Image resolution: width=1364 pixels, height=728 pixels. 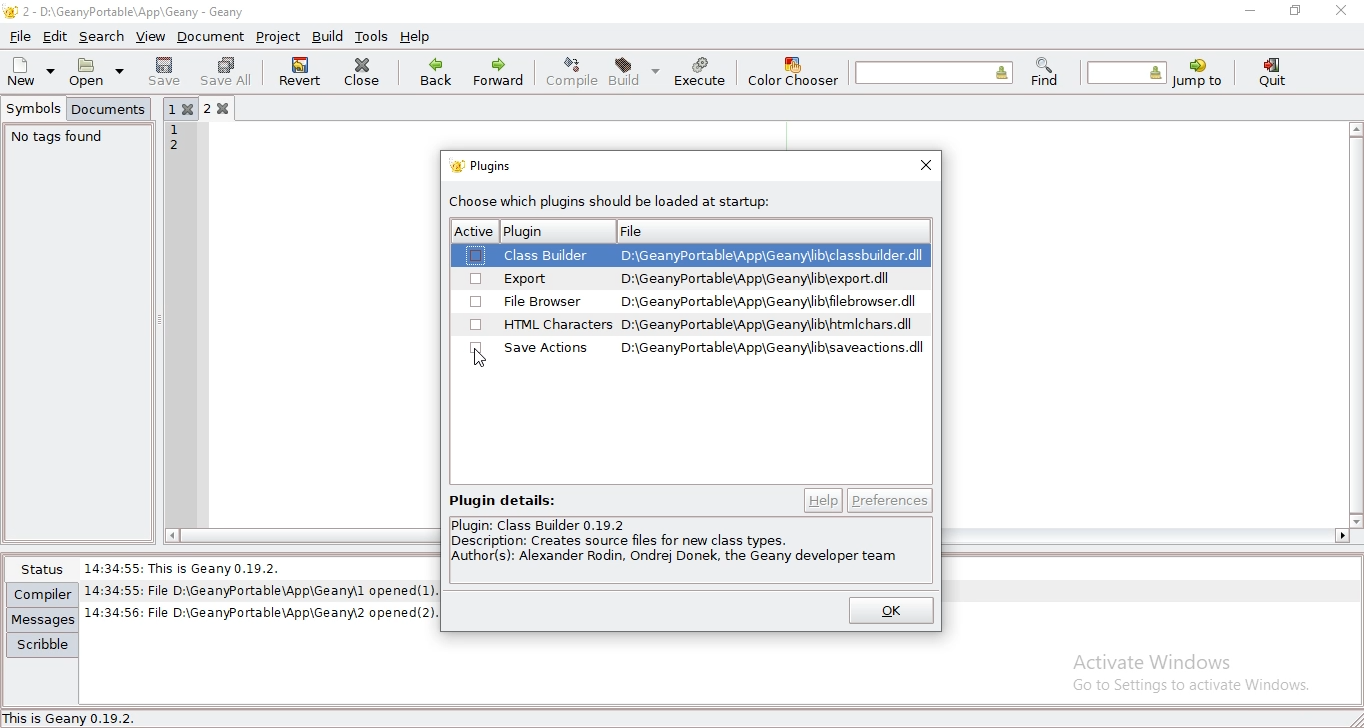 What do you see at coordinates (224, 108) in the screenshot?
I see `2` at bounding box center [224, 108].